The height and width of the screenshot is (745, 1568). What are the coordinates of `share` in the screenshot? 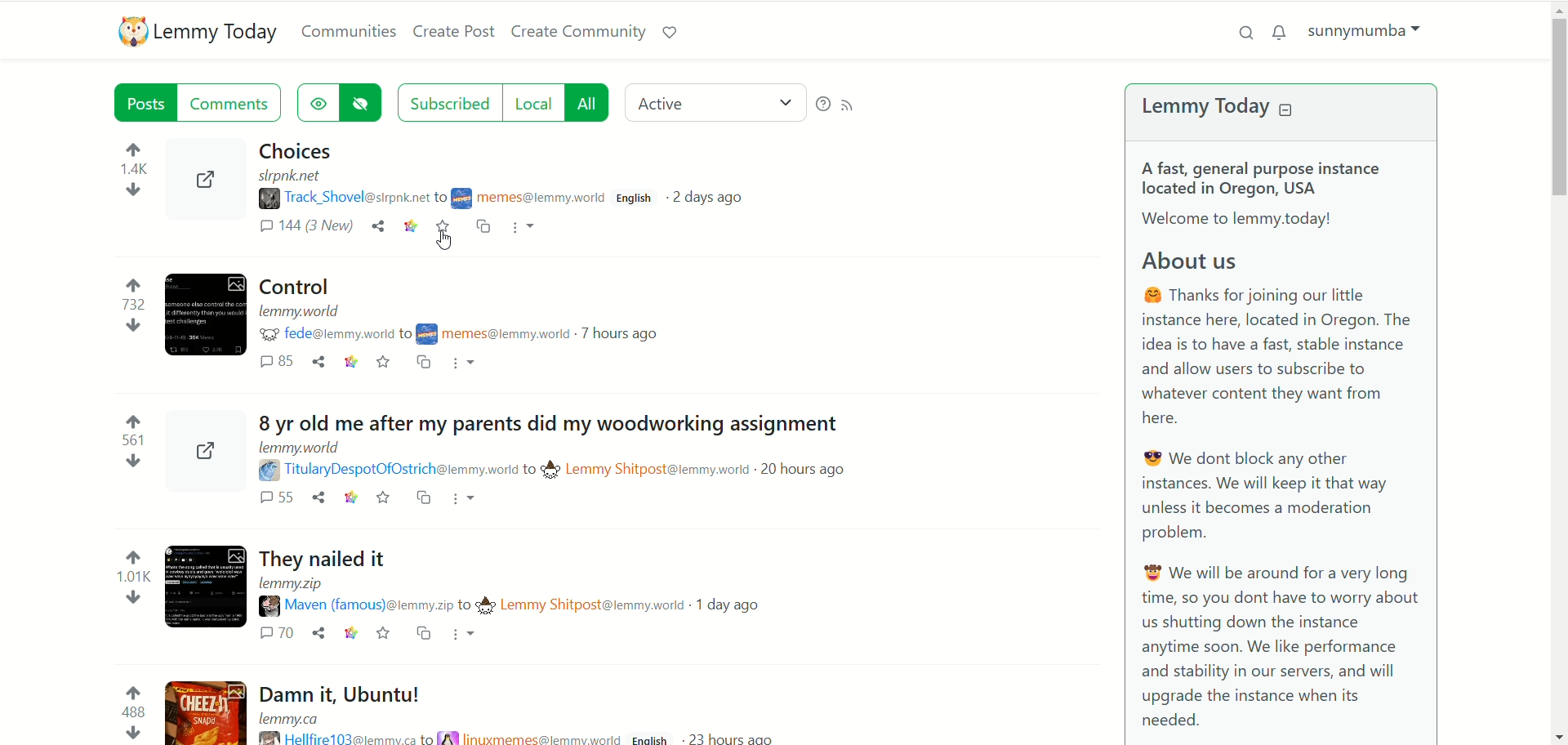 It's located at (321, 363).